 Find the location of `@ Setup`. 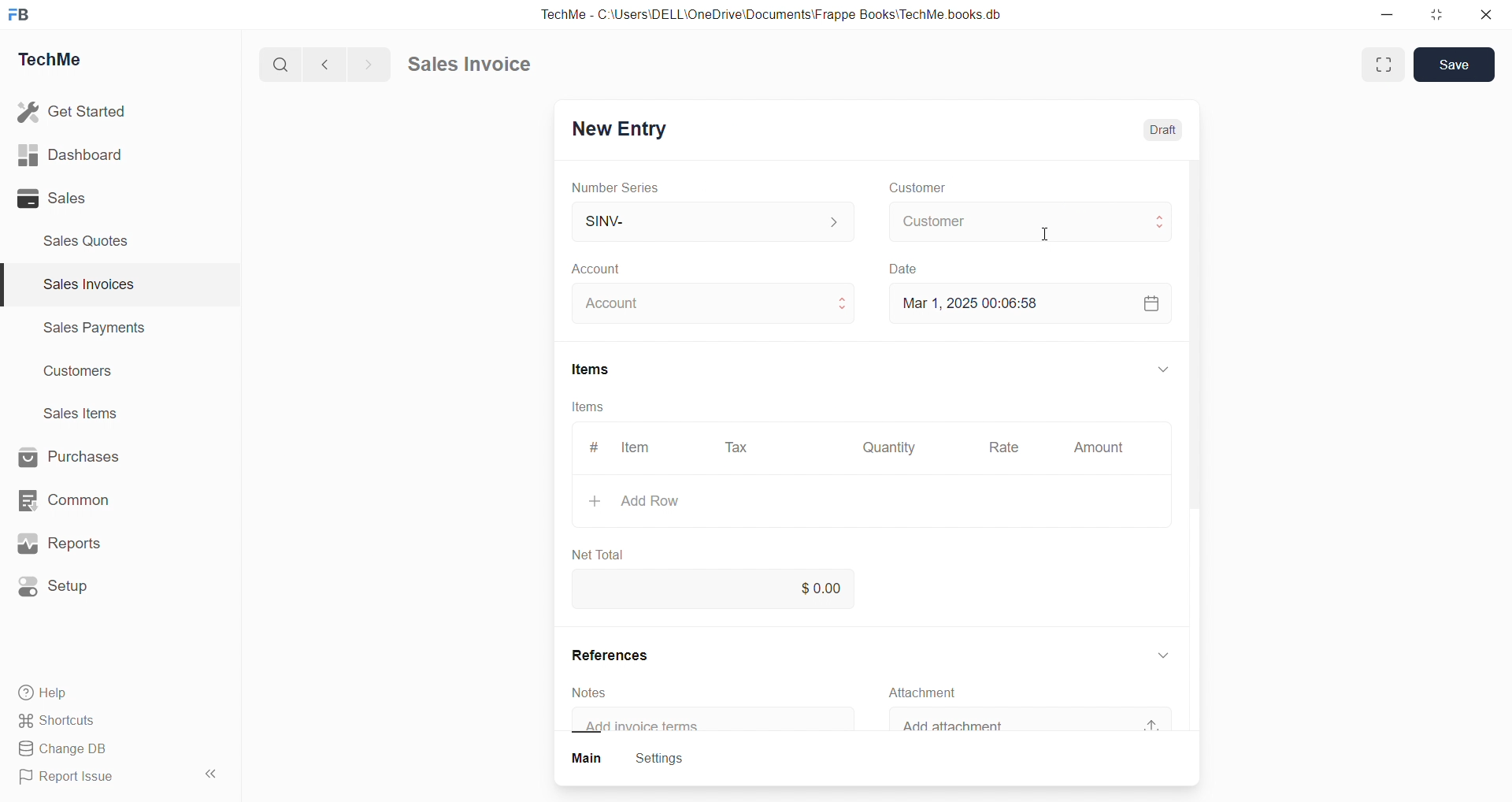

@ Setup is located at coordinates (62, 592).